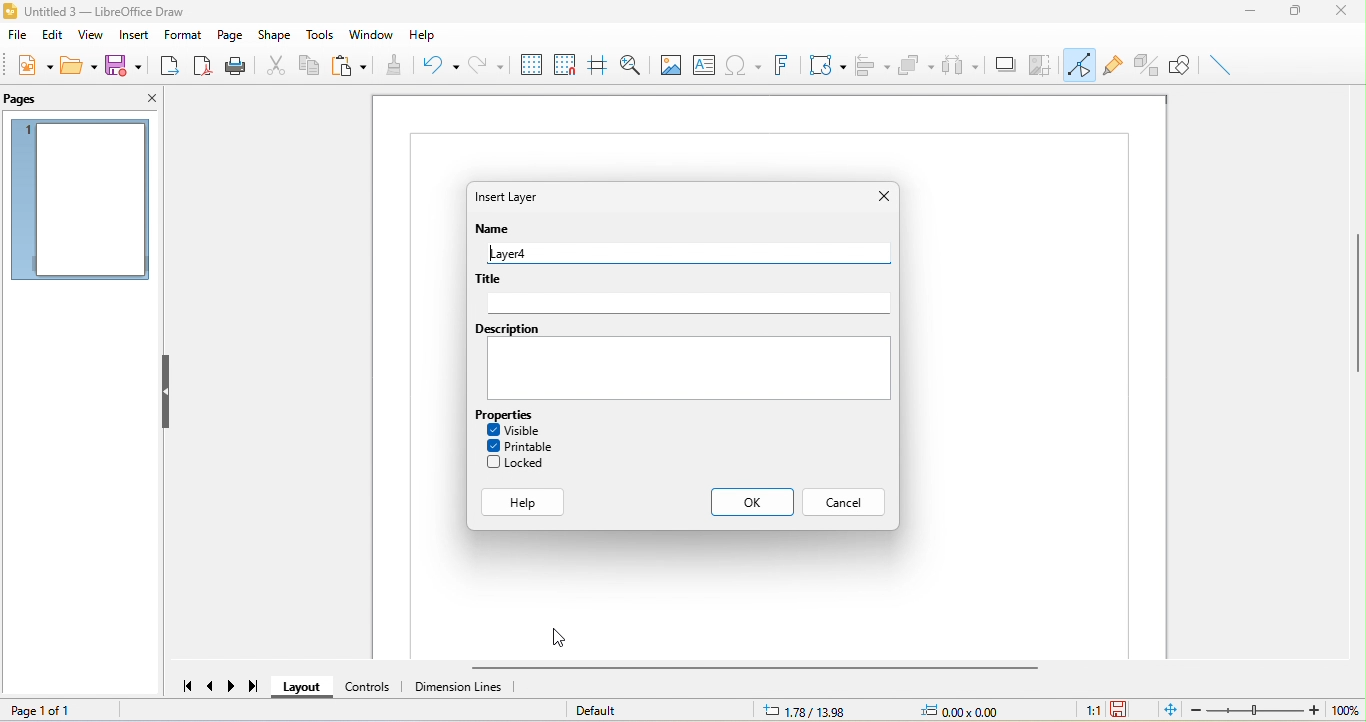 The image size is (1366, 722). I want to click on edit, so click(53, 37).